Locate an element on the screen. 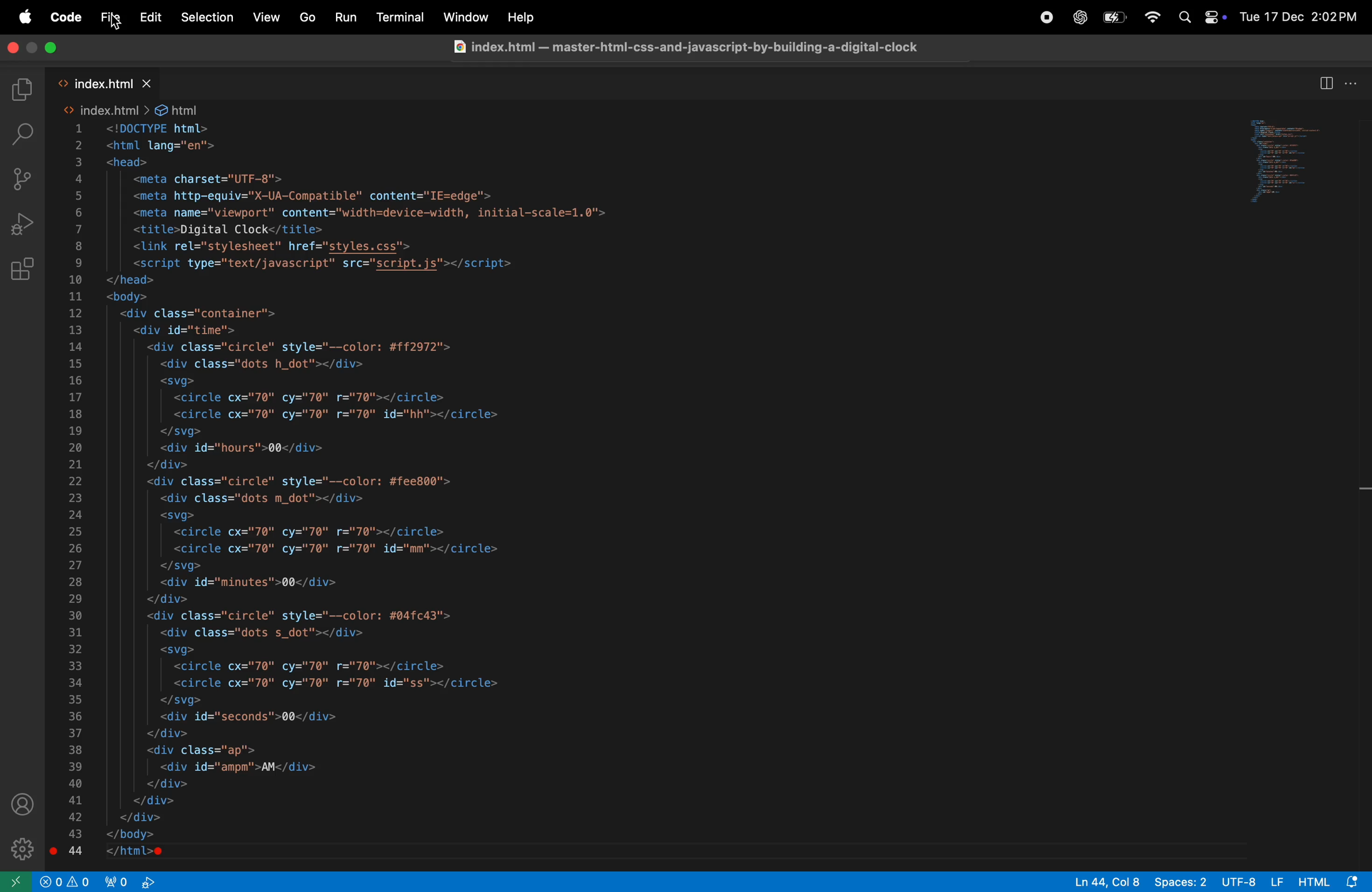 This screenshot has width=1372, height=892. spaces 2 is located at coordinates (1180, 881).